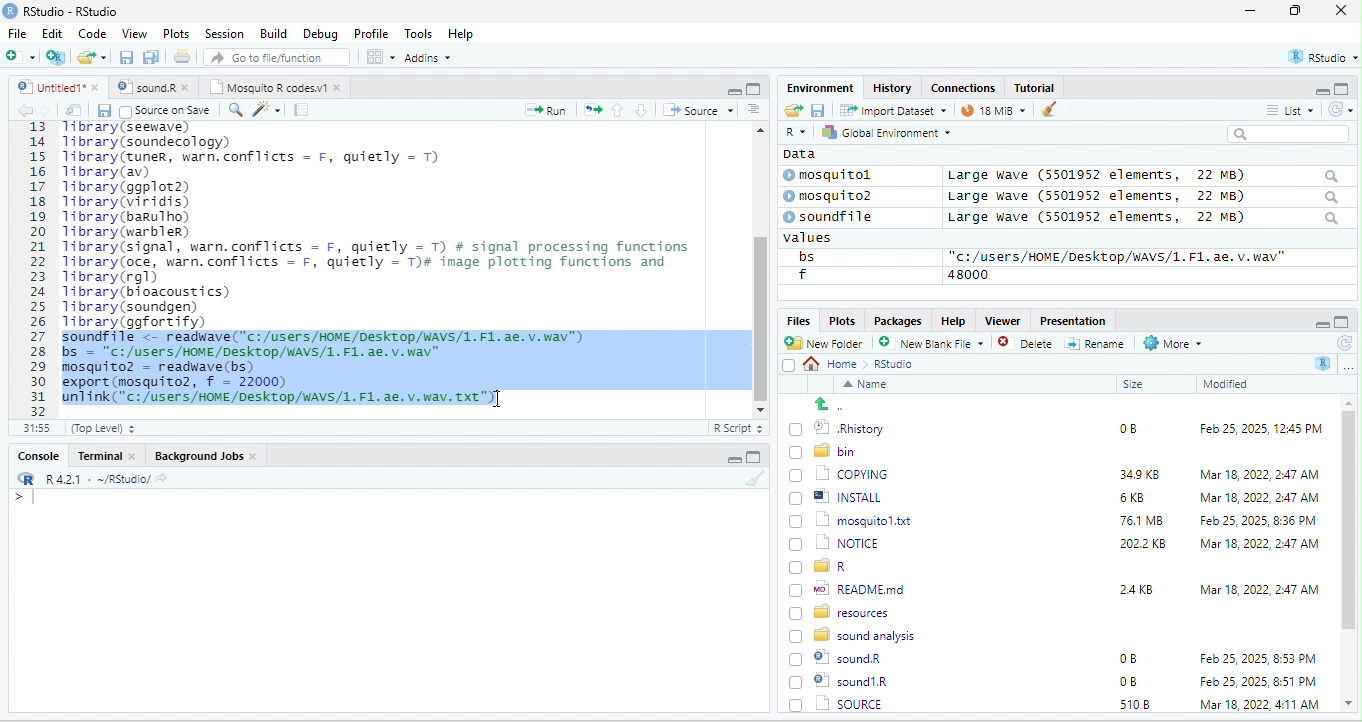 This screenshot has width=1362, height=722. I want to click on 5108, so click(1130, 680).